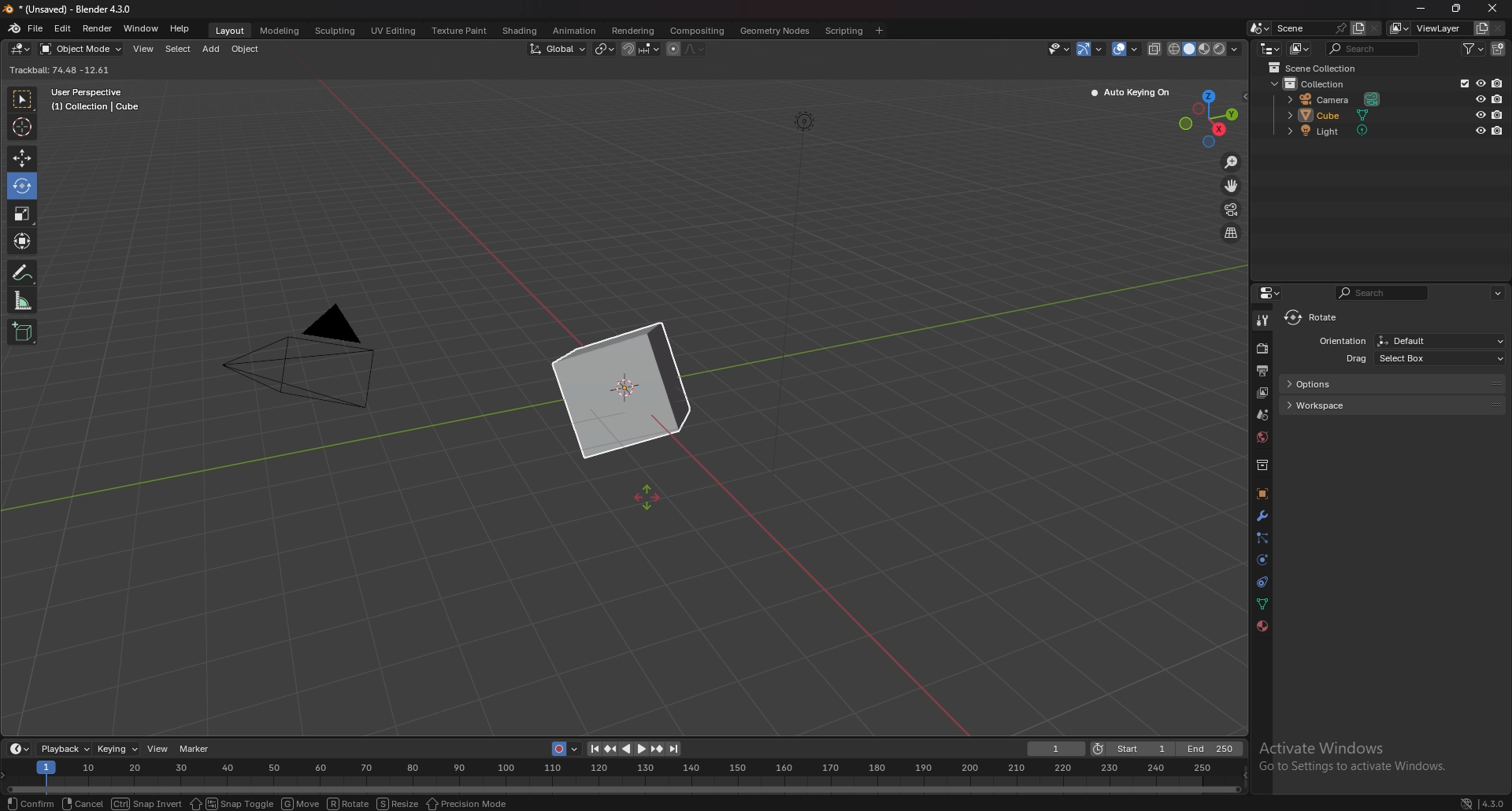  I want to click on texture paint, so click(461, 31).